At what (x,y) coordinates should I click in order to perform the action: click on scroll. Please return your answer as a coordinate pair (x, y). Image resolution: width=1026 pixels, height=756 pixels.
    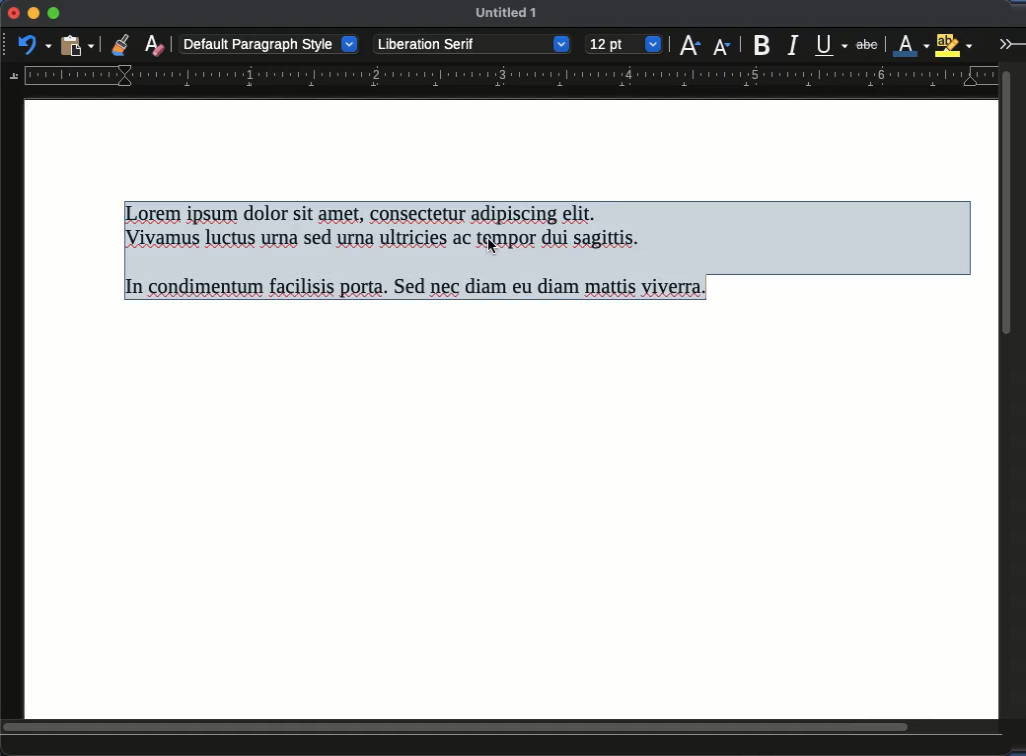
    Looking at the image, I should click on (1012, 389).